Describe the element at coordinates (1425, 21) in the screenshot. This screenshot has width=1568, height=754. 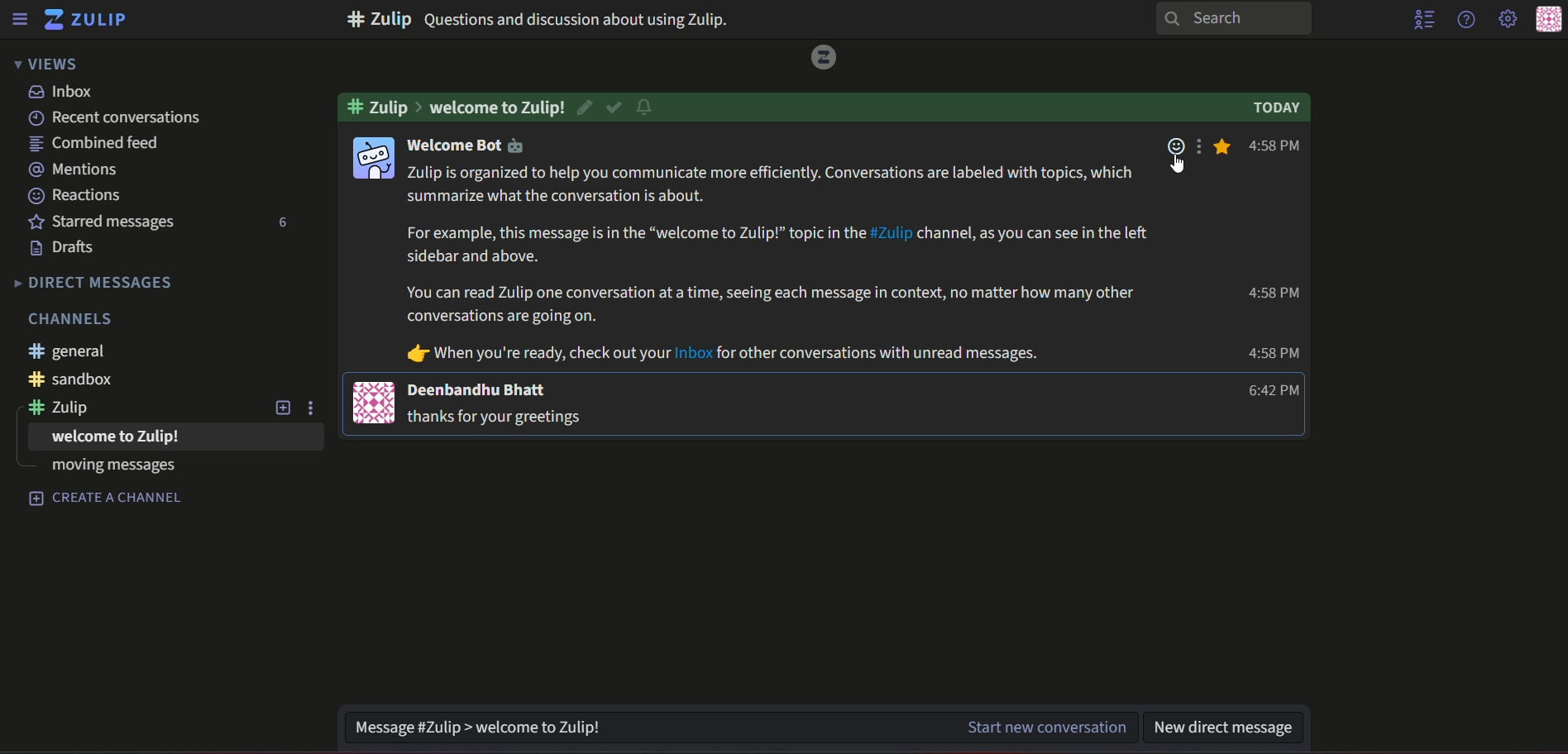
I see `user list` at that location.